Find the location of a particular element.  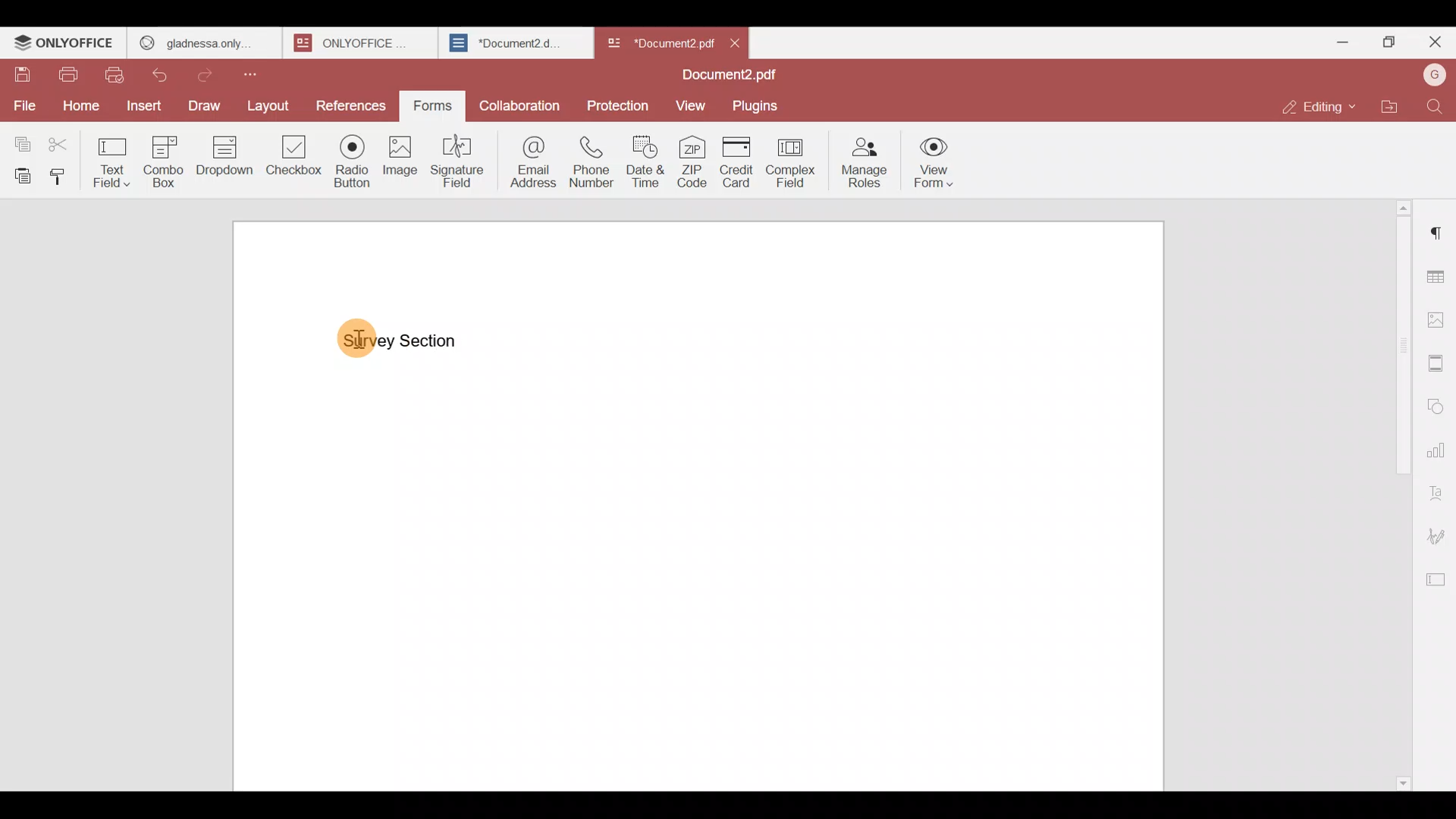

text cursor is located at coordinates (366, 334).